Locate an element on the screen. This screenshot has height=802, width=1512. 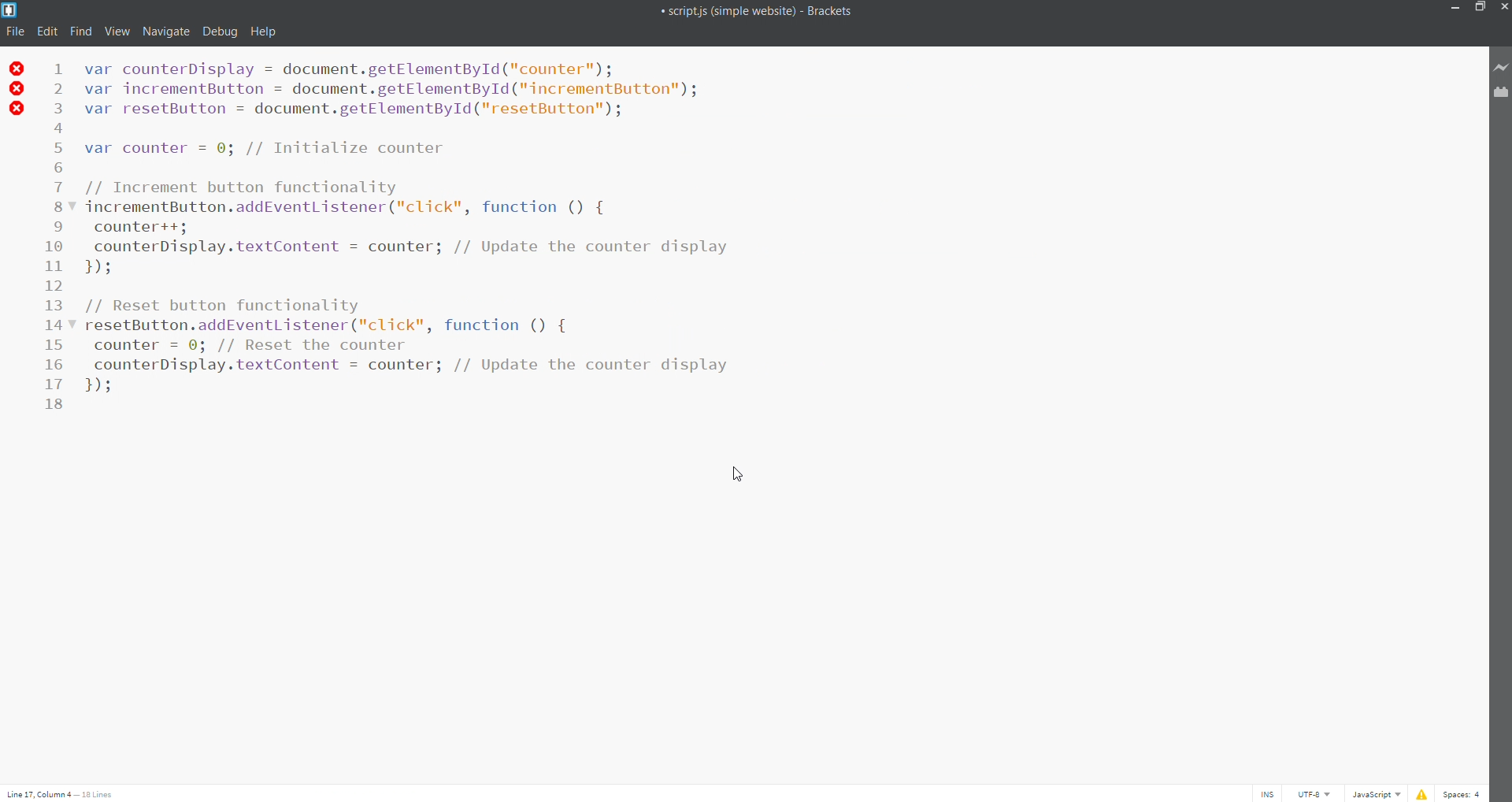
line number is located at coordinates (60, 236).